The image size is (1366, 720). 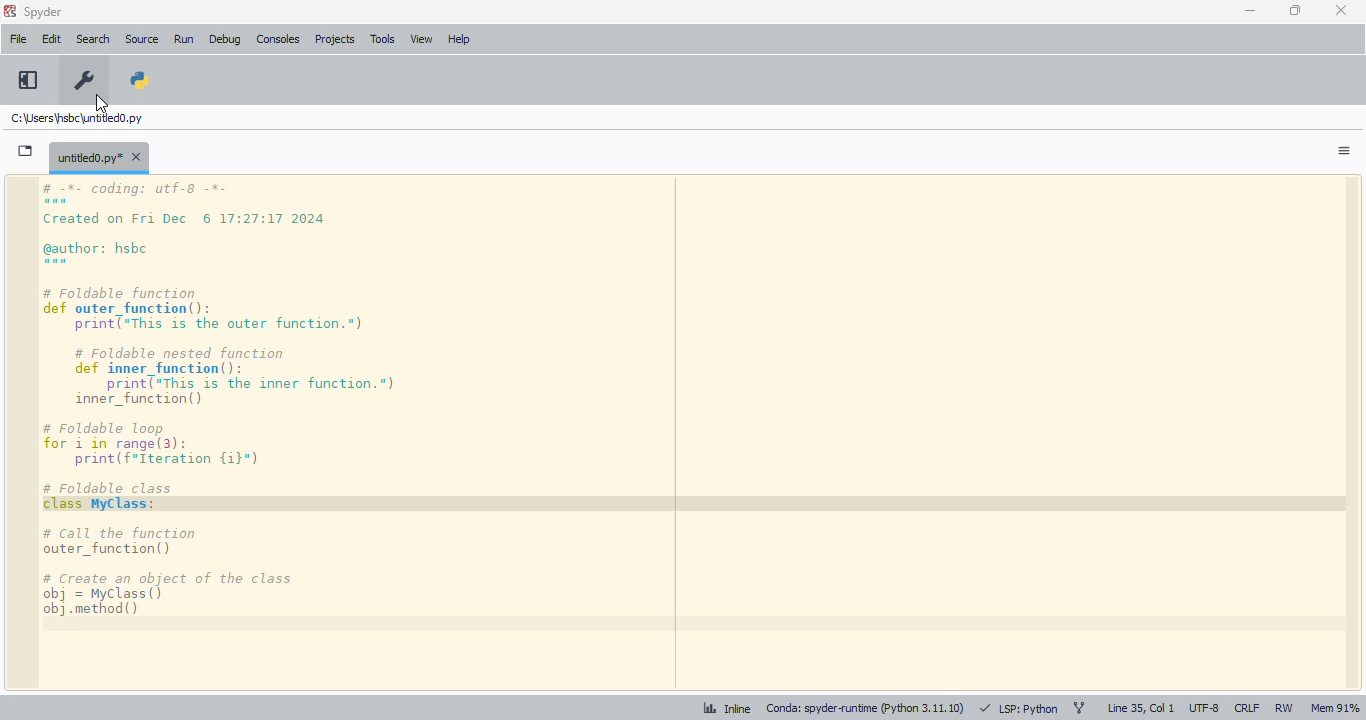 What do you see at coordinates (383, 39) in the screenshot?
I see `tools` at bounding box center [383, 39].